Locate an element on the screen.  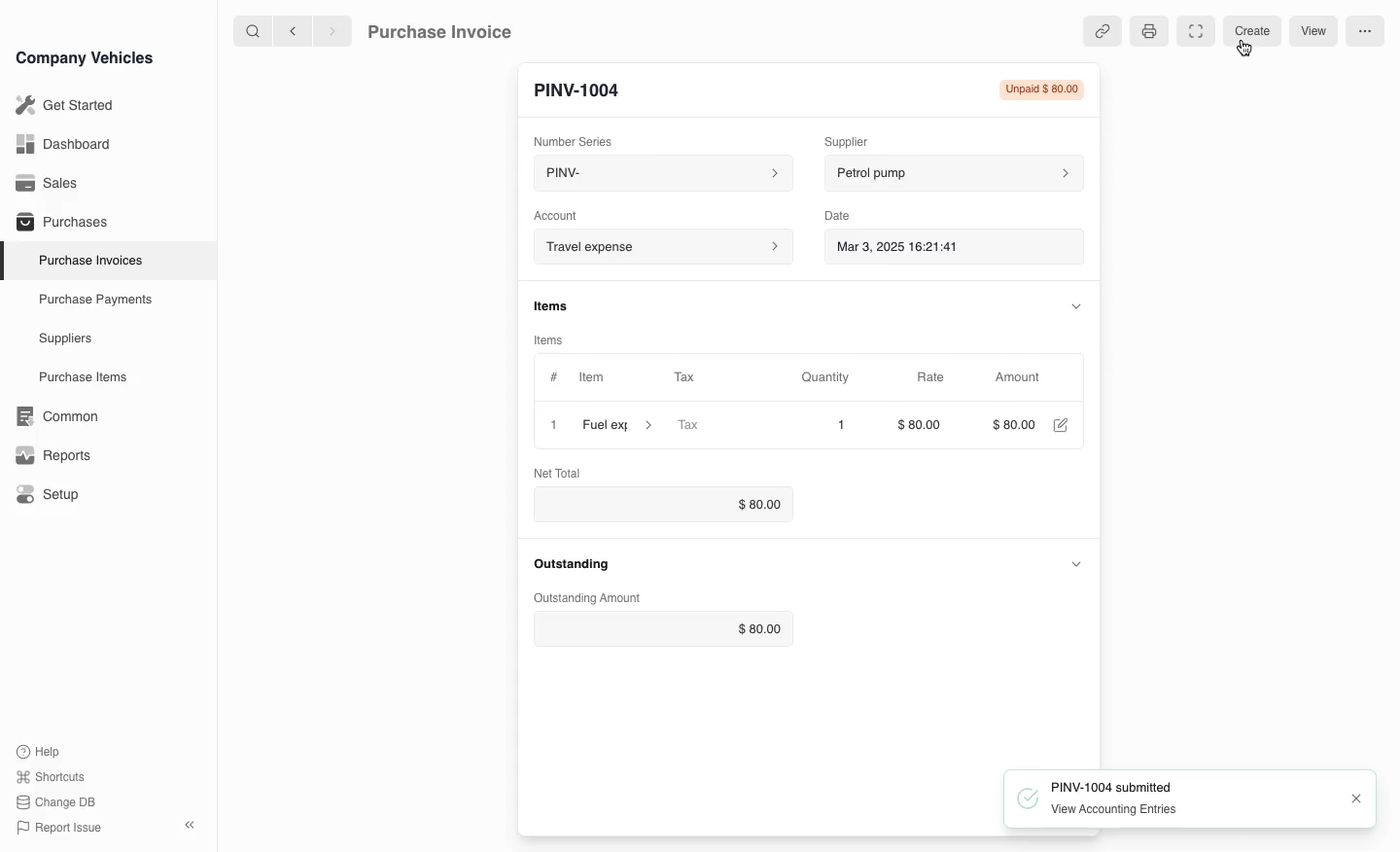
New Entry is located at coordinates (586, 89).